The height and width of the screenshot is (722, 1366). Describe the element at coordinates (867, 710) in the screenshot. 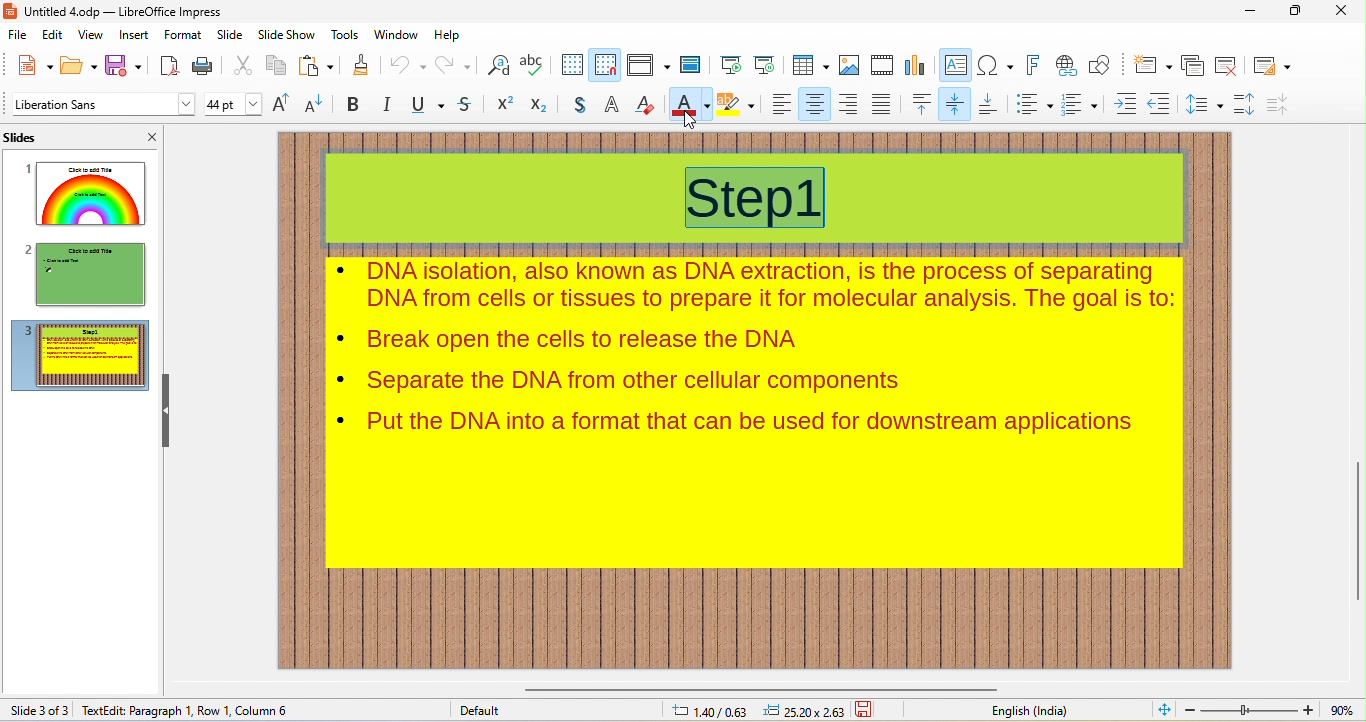

I see `save` at that location.